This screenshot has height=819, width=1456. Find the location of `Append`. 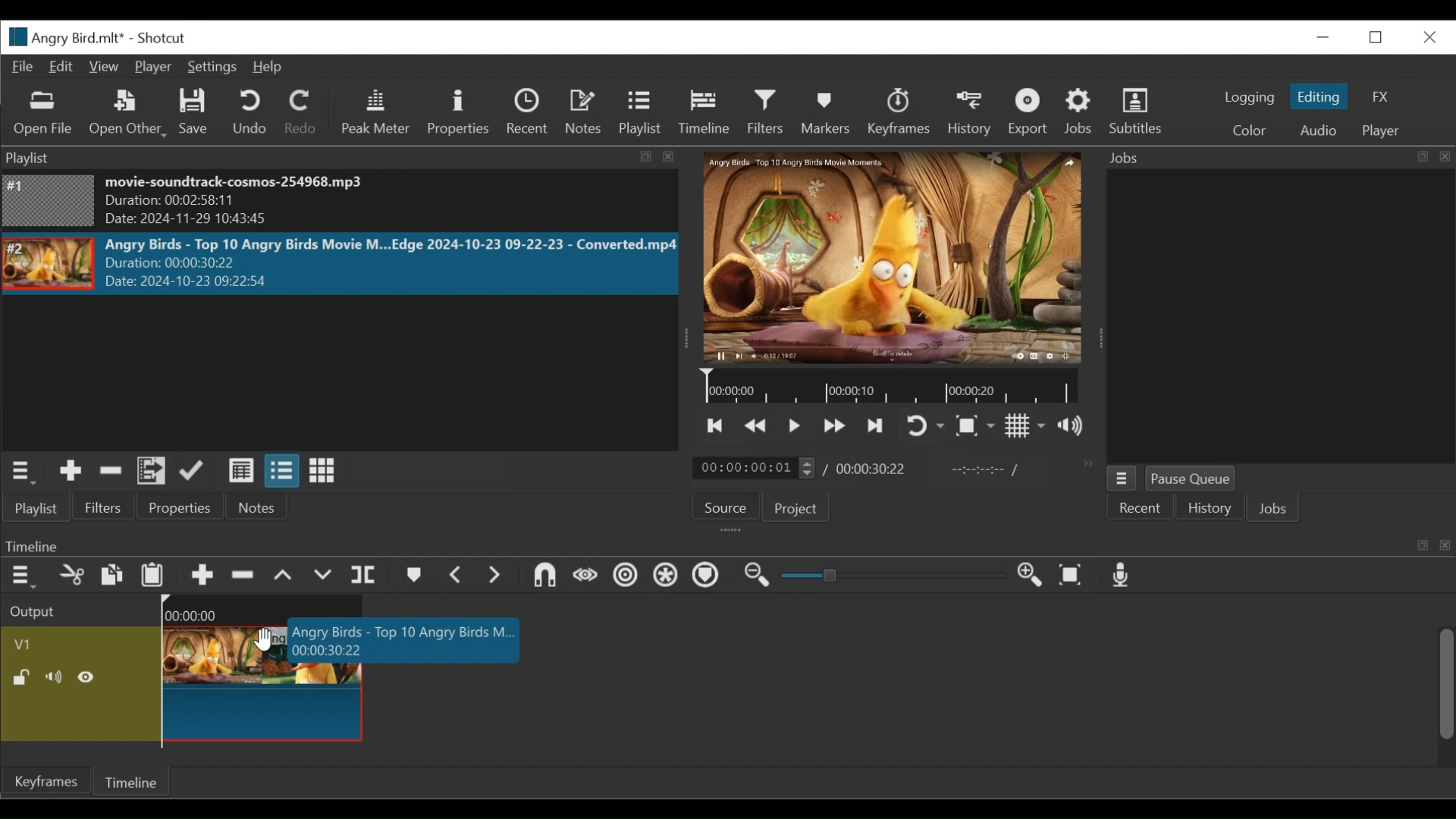

Append is located at coordinates (201, 576).